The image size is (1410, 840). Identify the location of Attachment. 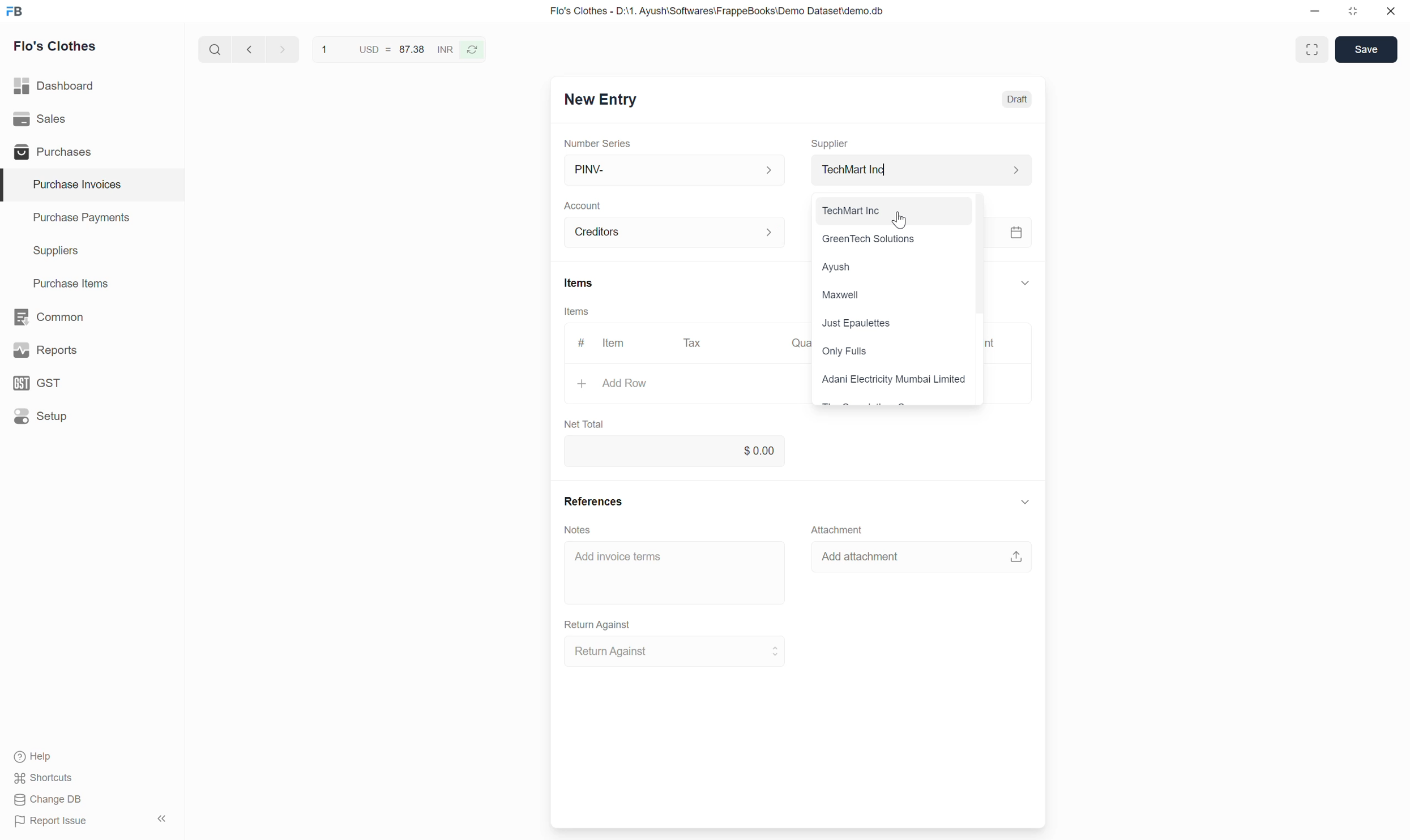
(834, 527).